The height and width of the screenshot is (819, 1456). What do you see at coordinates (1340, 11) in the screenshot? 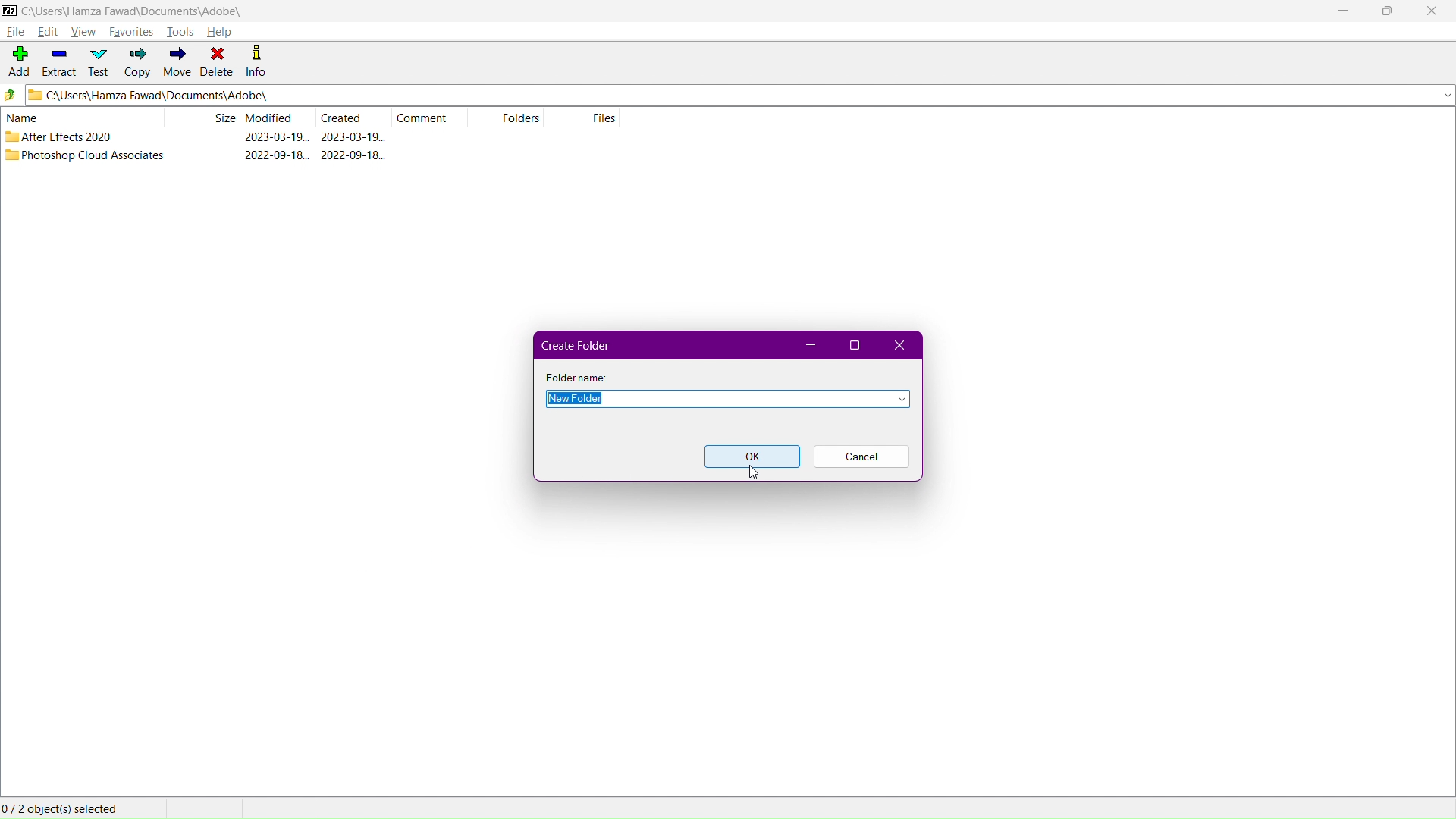
I see `Minimize` at bounding box center [1340, 11].